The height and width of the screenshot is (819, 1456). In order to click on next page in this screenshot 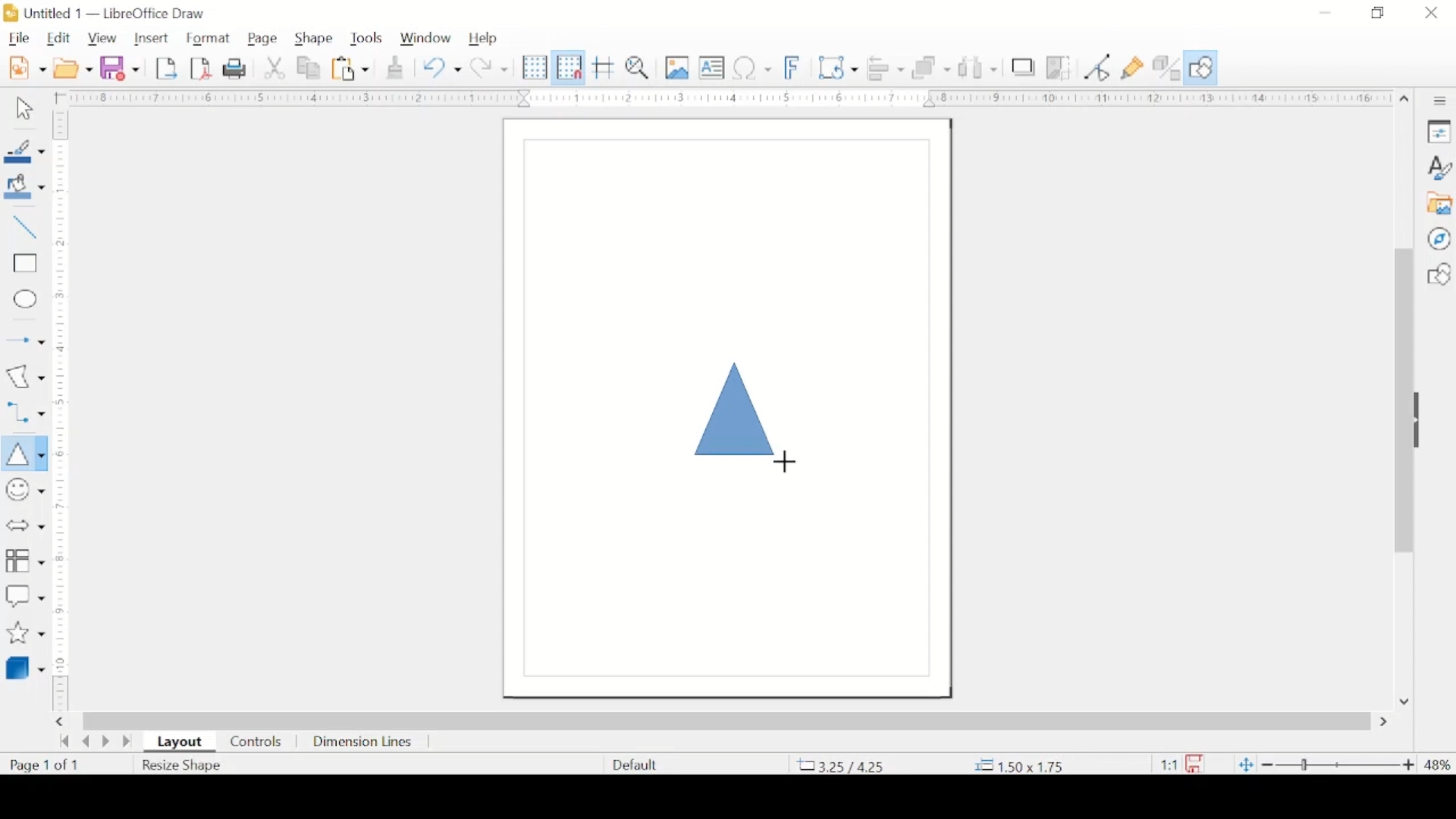, I will do `click(105, 743)`.